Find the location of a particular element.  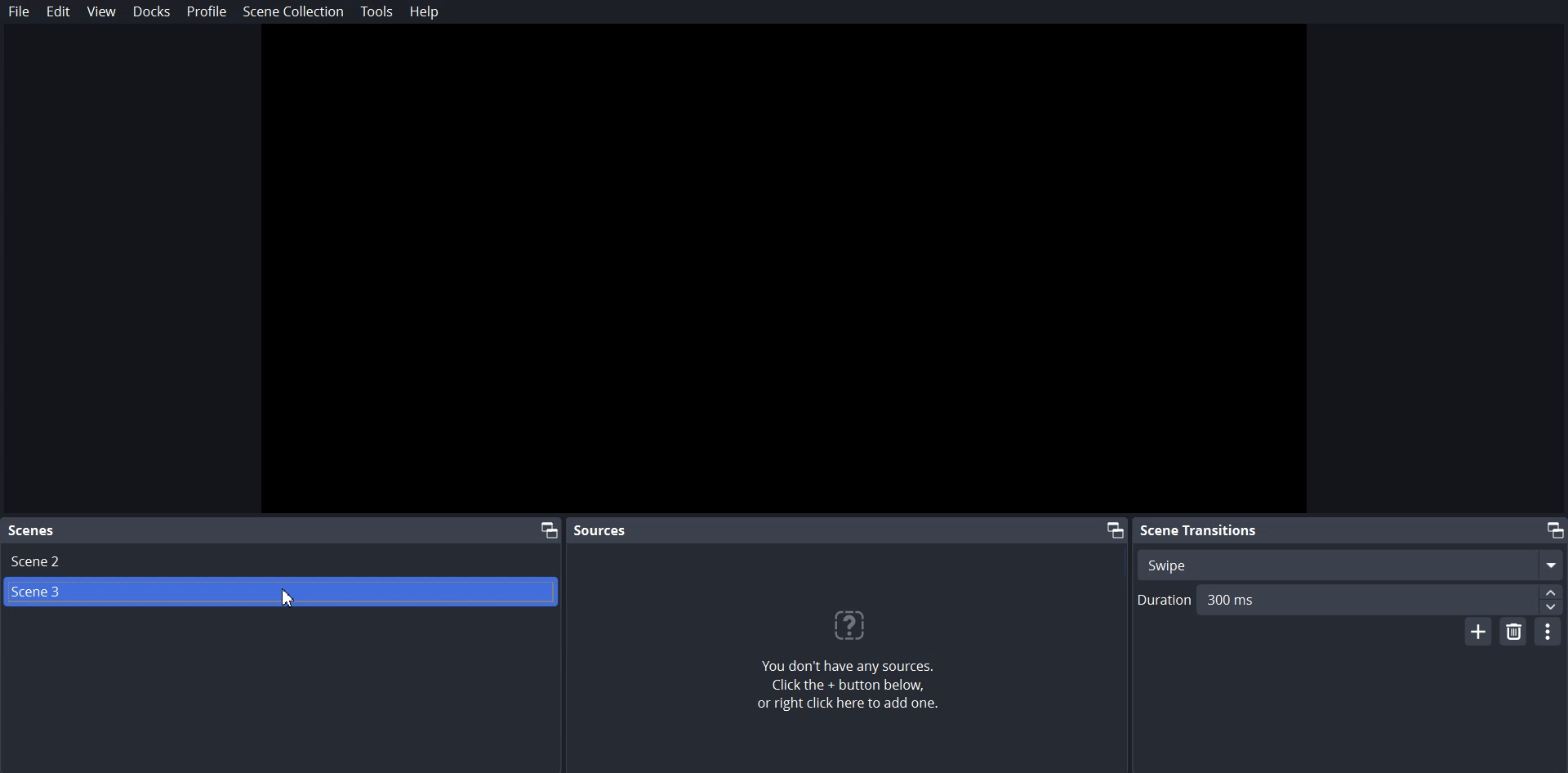

Profile is located at coordinates (206, 12).